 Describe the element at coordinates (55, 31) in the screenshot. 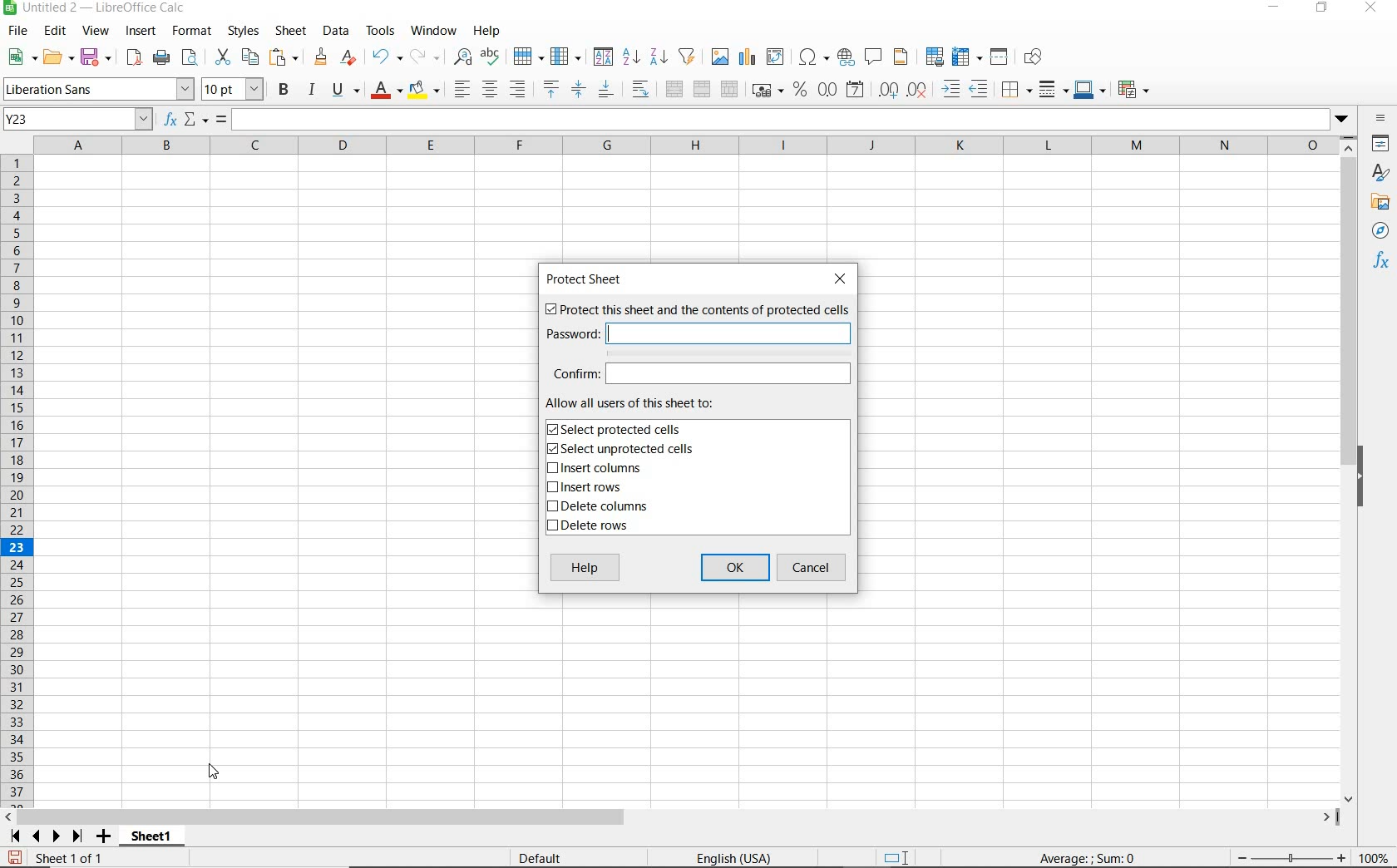

I see `EDIT` at that location.